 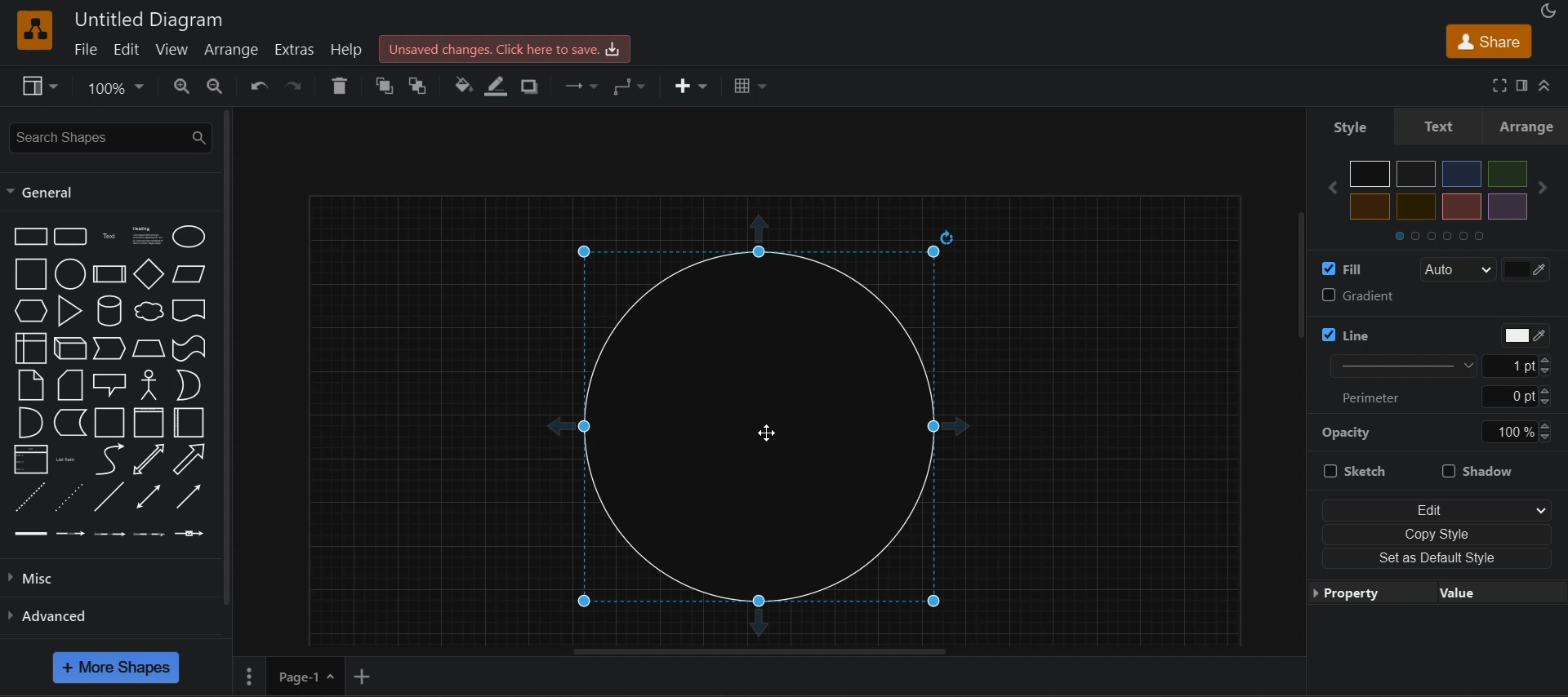 I want to click on internal storage, so click(x=26, y=347).